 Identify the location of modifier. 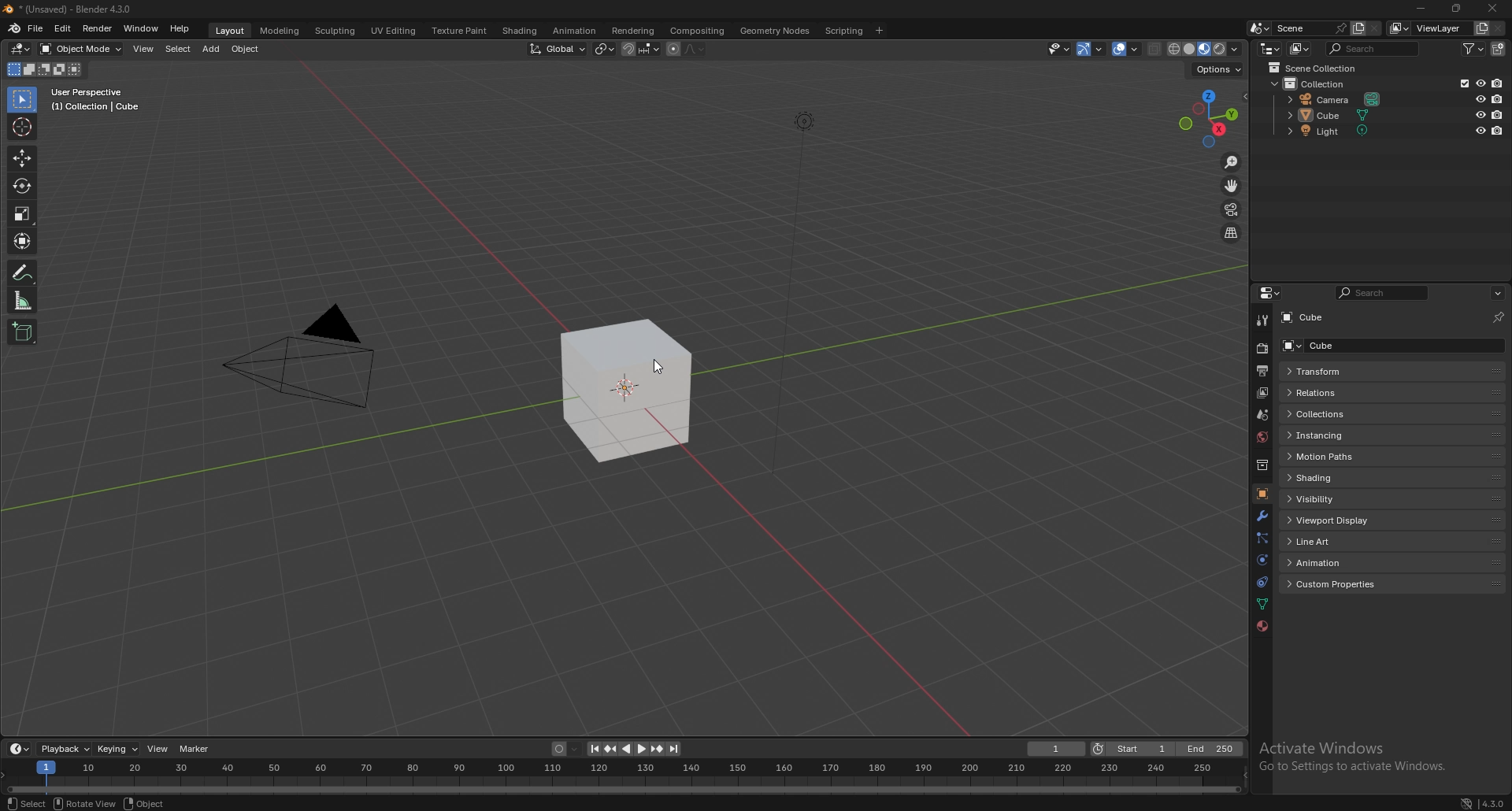
(1262, 515).